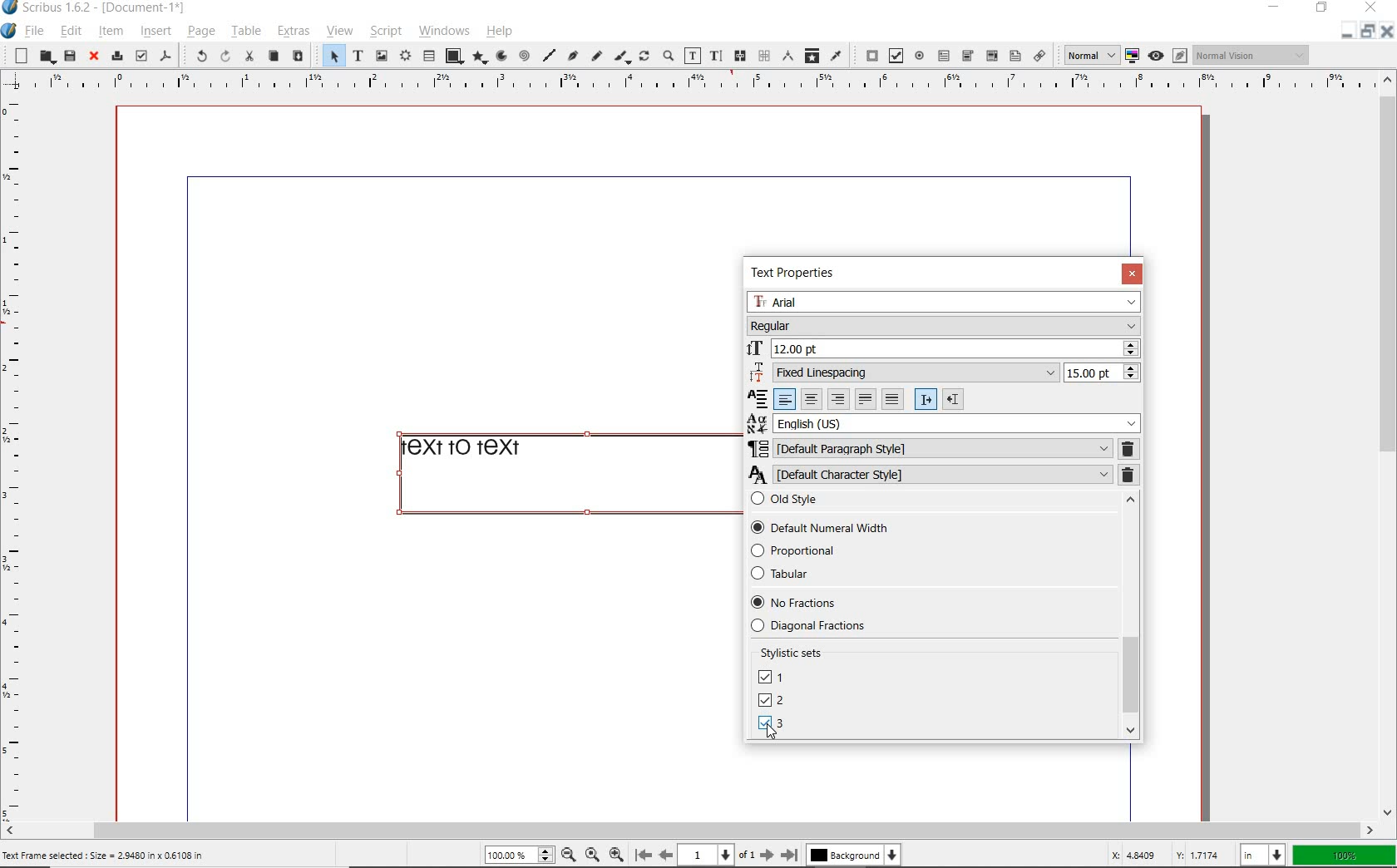 This screenshot has height=868, width=1397. I want to click on Right to left paragraph, so click(954, 398).